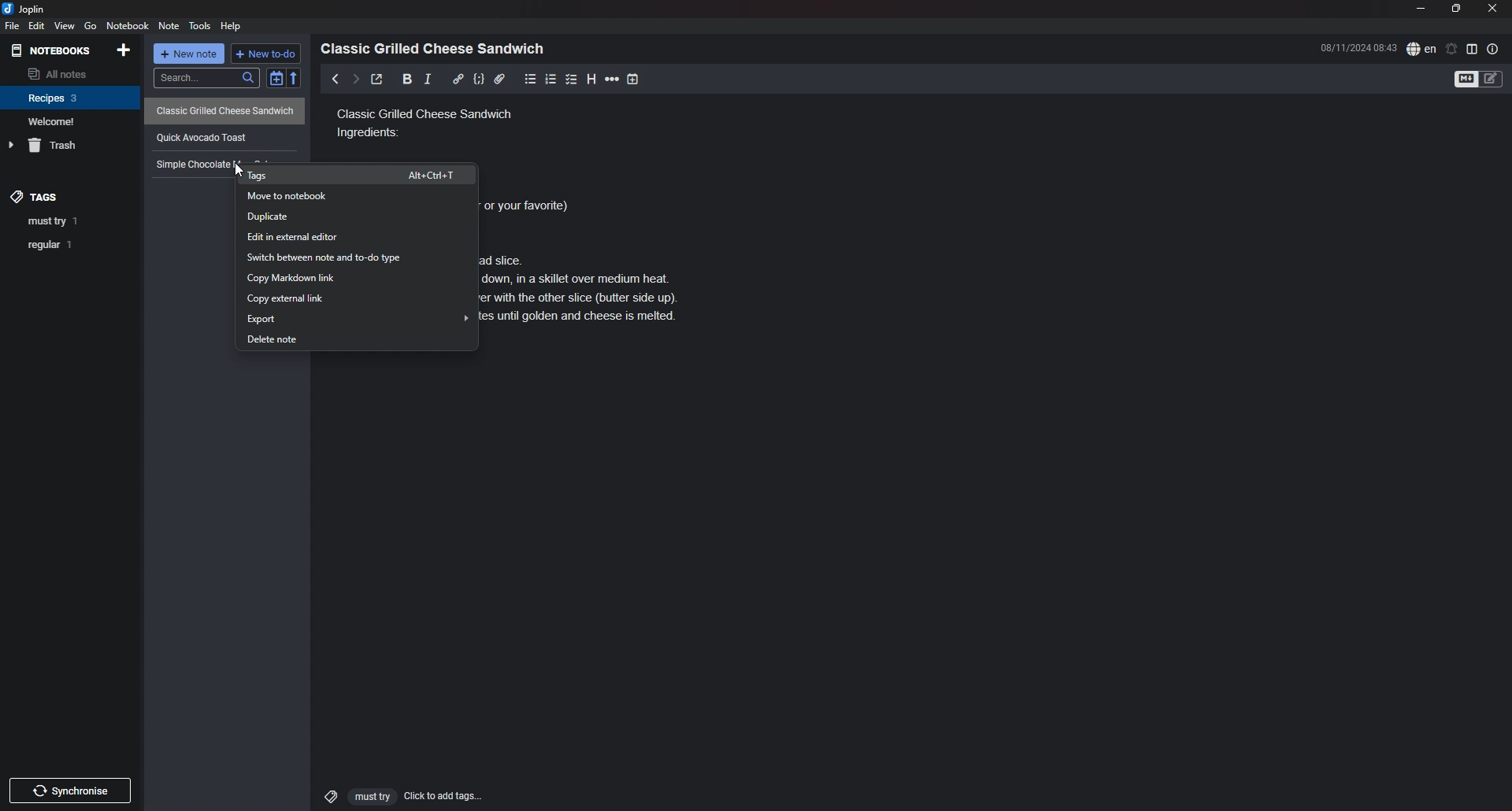 This screenshot has width=1512, height=811. What do you see at coordinates (64, 26) in the screenshot?
I see `view` at bounding box center [64, 26].